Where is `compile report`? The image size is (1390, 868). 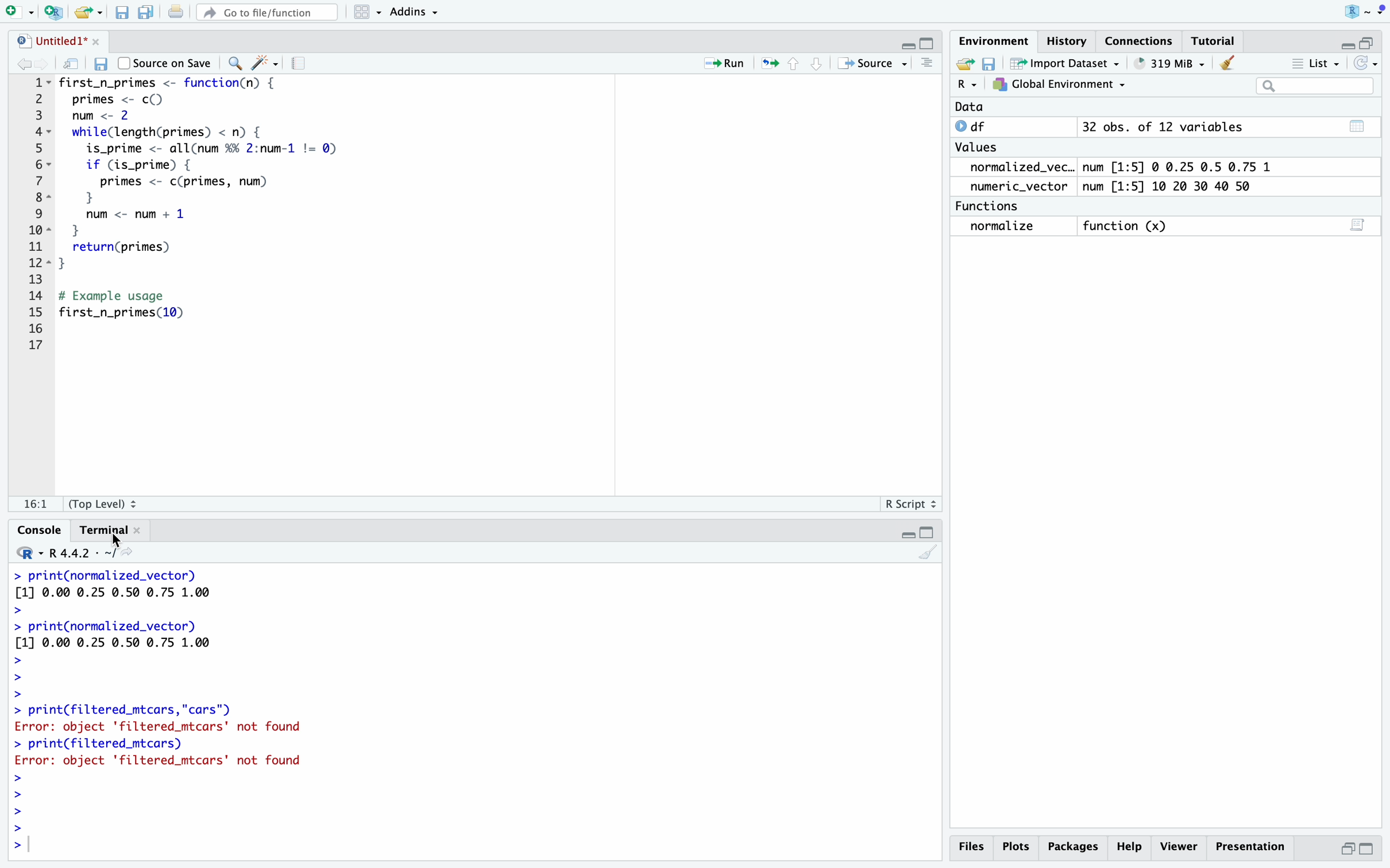 compile report is located at coordinates (305, 65).